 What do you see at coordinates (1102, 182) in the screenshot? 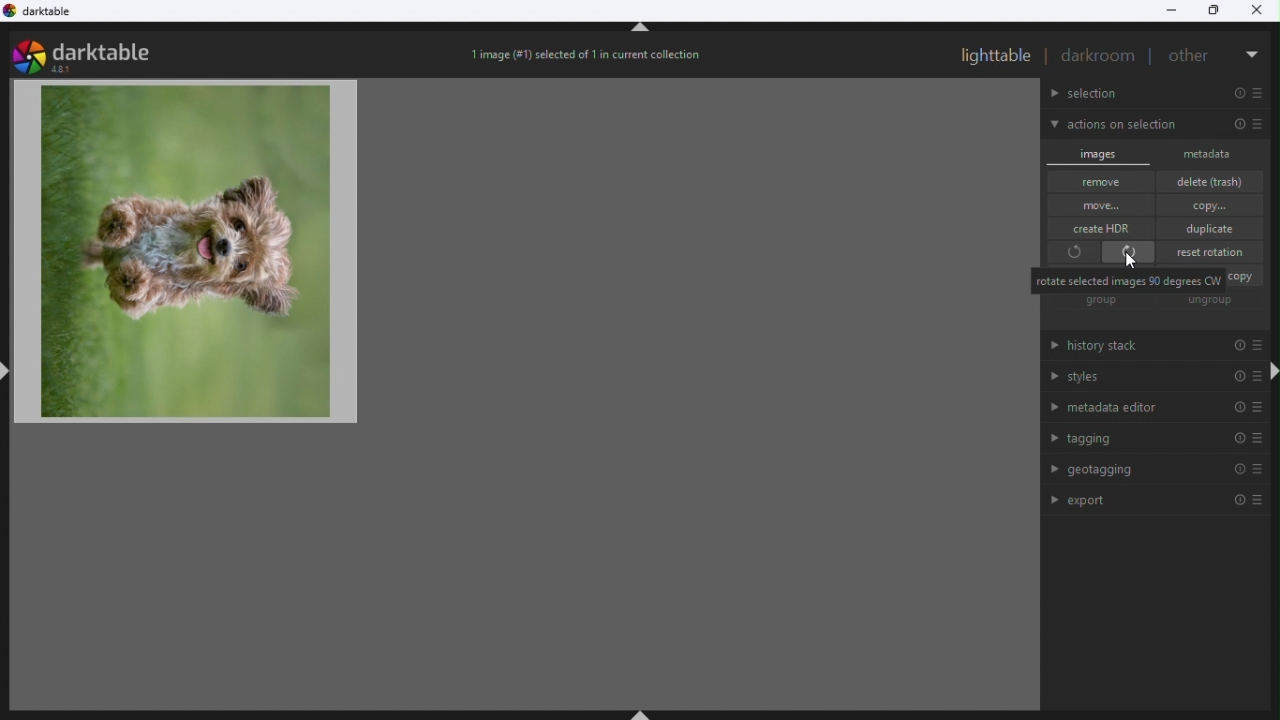
I see `remove` at bounding box center [1102, 182].